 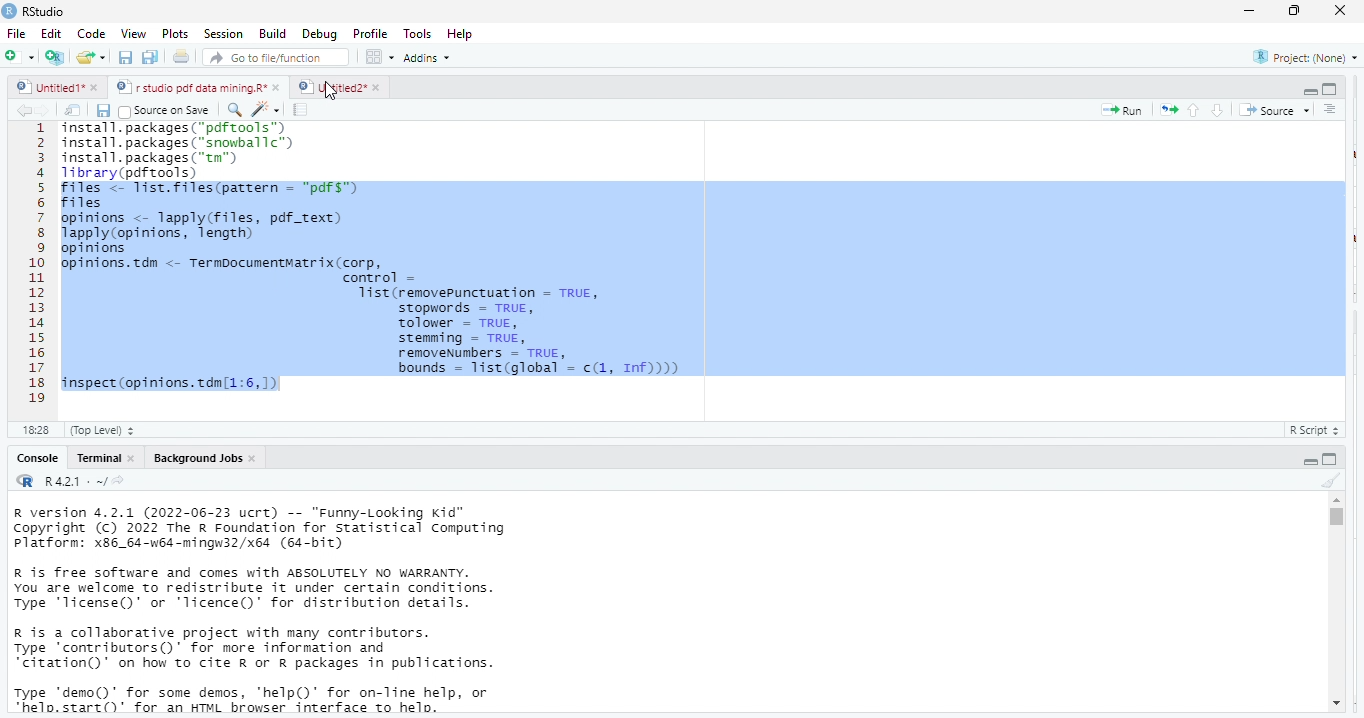 What do you see at coordinates (432, 57) in the screenshot?
I see `addins` at bounding box center [432, 57].